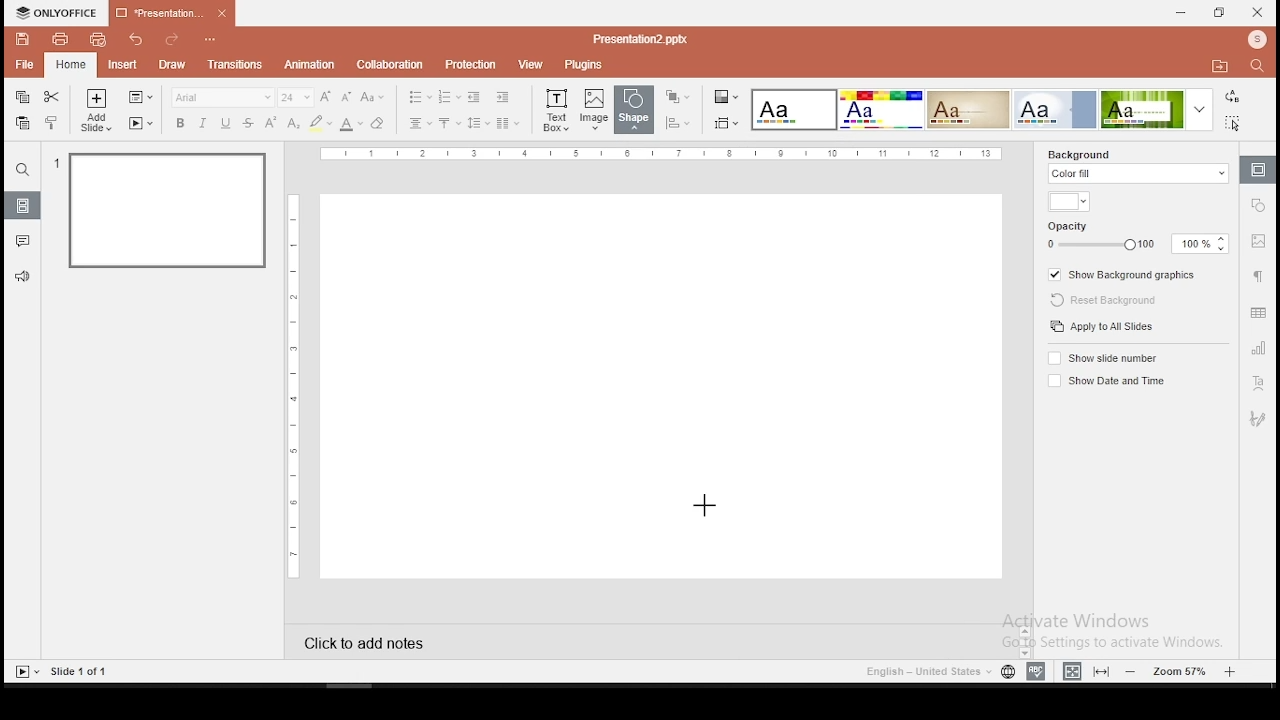  What do you see at coordinates (506, 122) in the screenshot?
I see `columns` at bounding box center [506, 122].